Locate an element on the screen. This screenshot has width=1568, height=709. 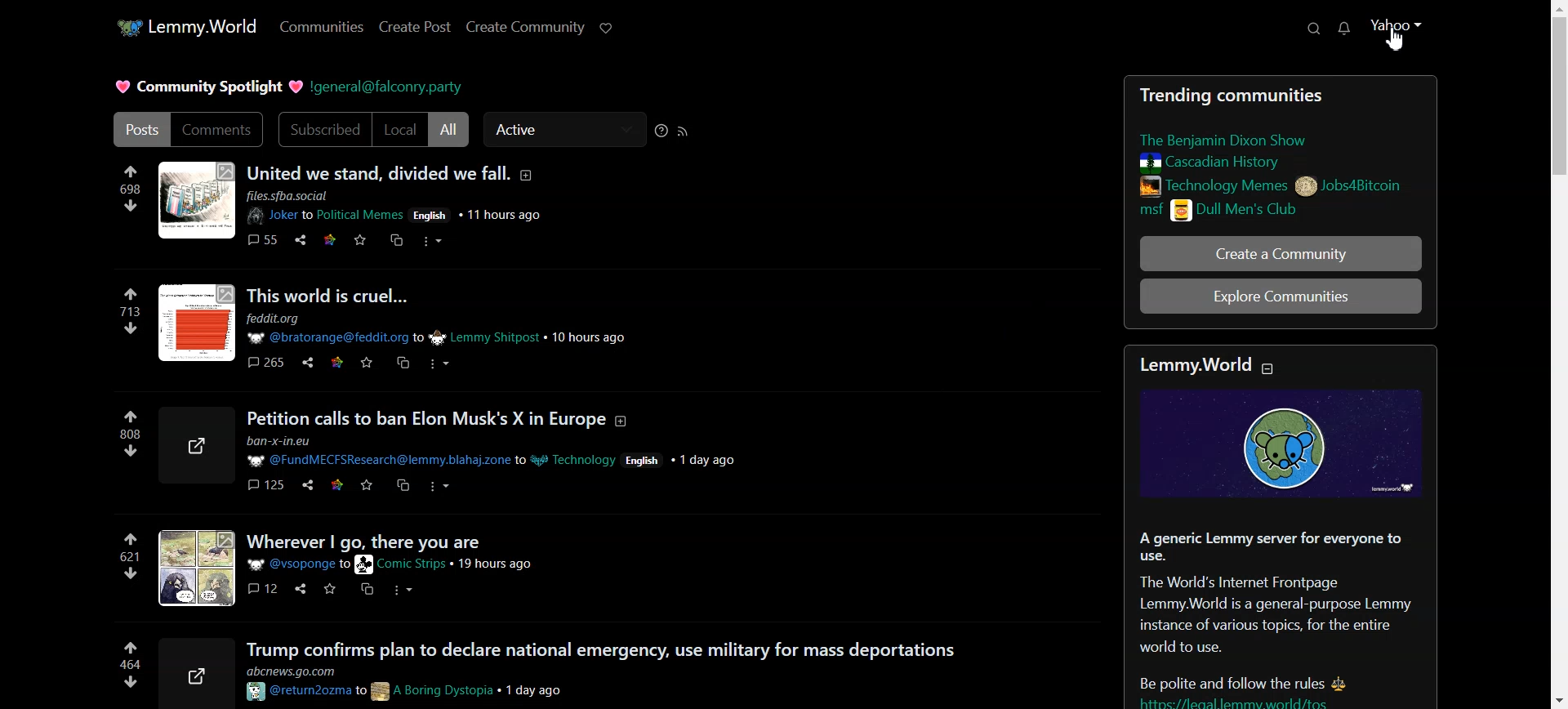
copy is located at coordinates (403, 489).